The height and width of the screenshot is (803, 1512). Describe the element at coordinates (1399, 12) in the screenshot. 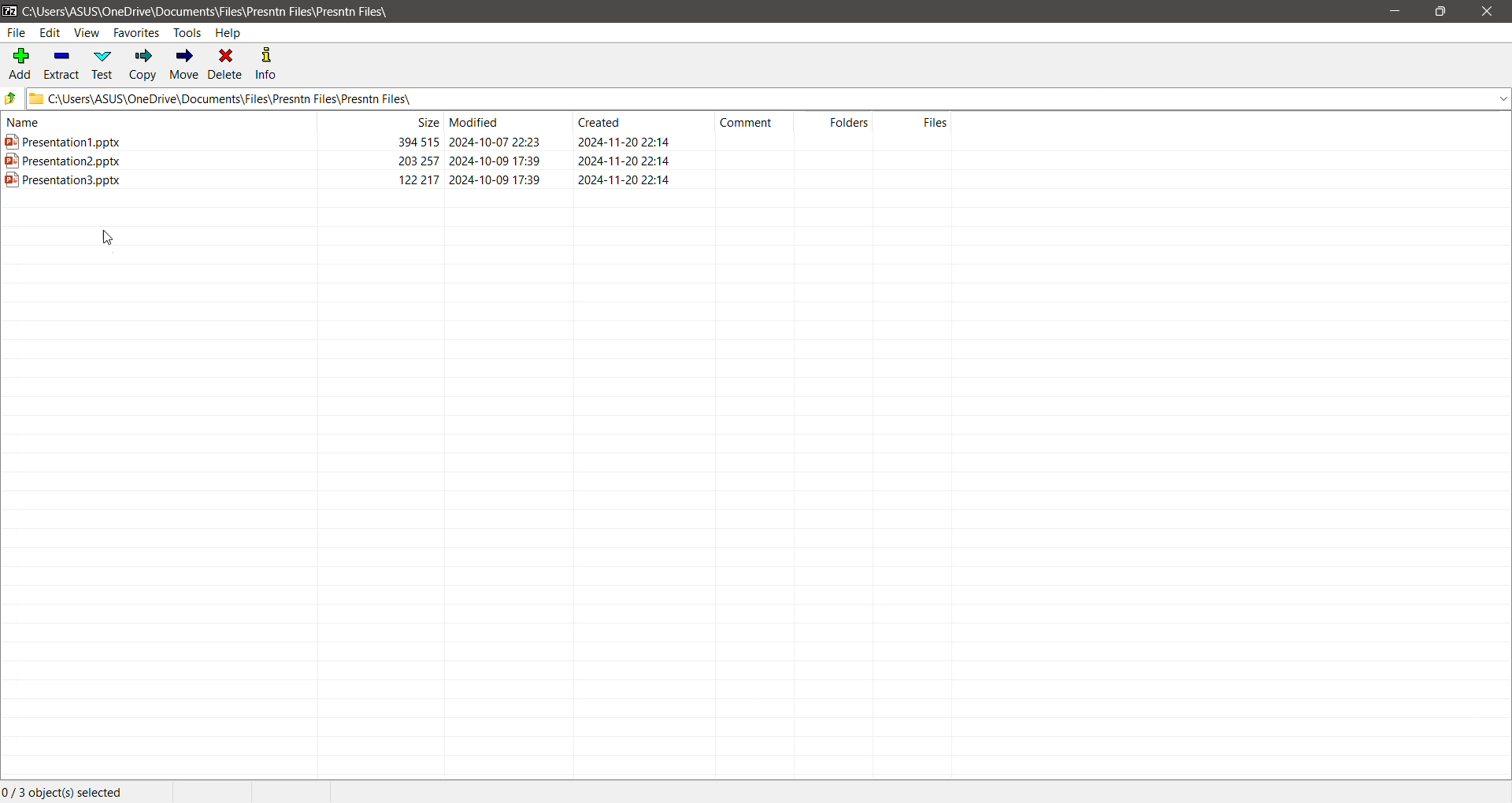

I see `Minimize` at that location.